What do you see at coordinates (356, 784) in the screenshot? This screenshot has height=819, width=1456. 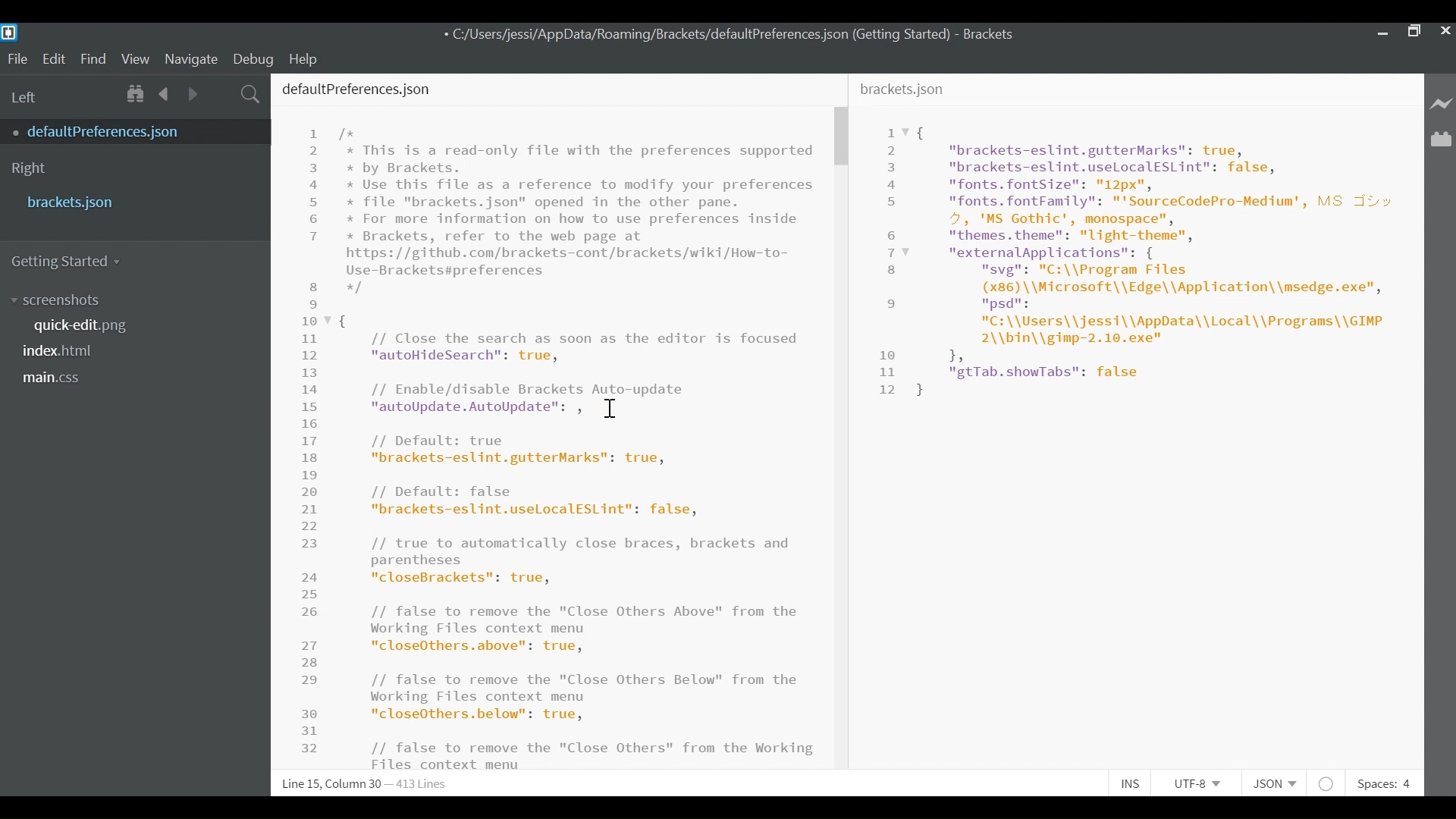 I see `Line, Column Preference` at bounding box center [356, 784].